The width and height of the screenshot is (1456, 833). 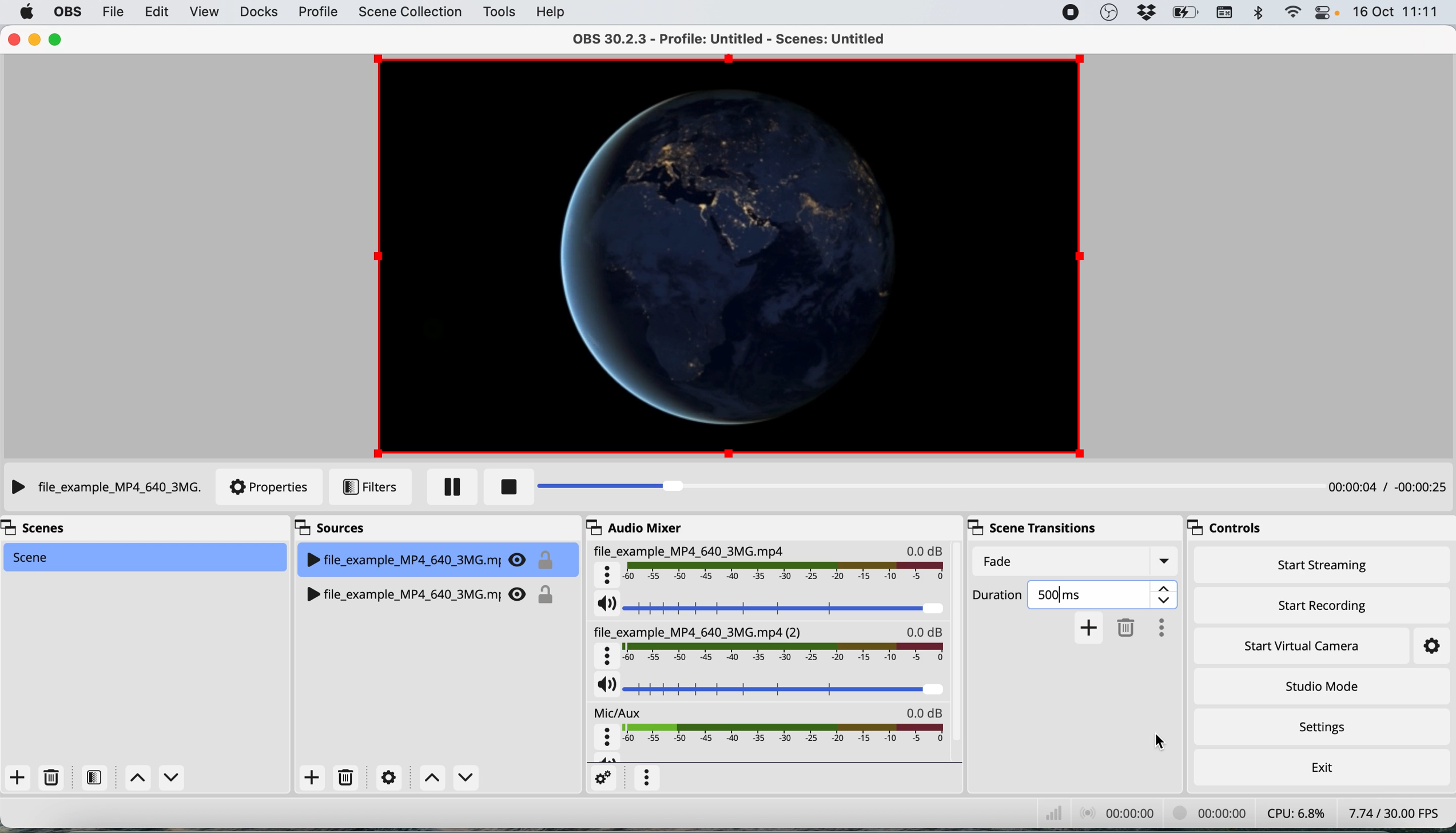 What do you see at coordinates (344, 776) in the screenshot?
I see `delete source` at bounding box center [344, 776].